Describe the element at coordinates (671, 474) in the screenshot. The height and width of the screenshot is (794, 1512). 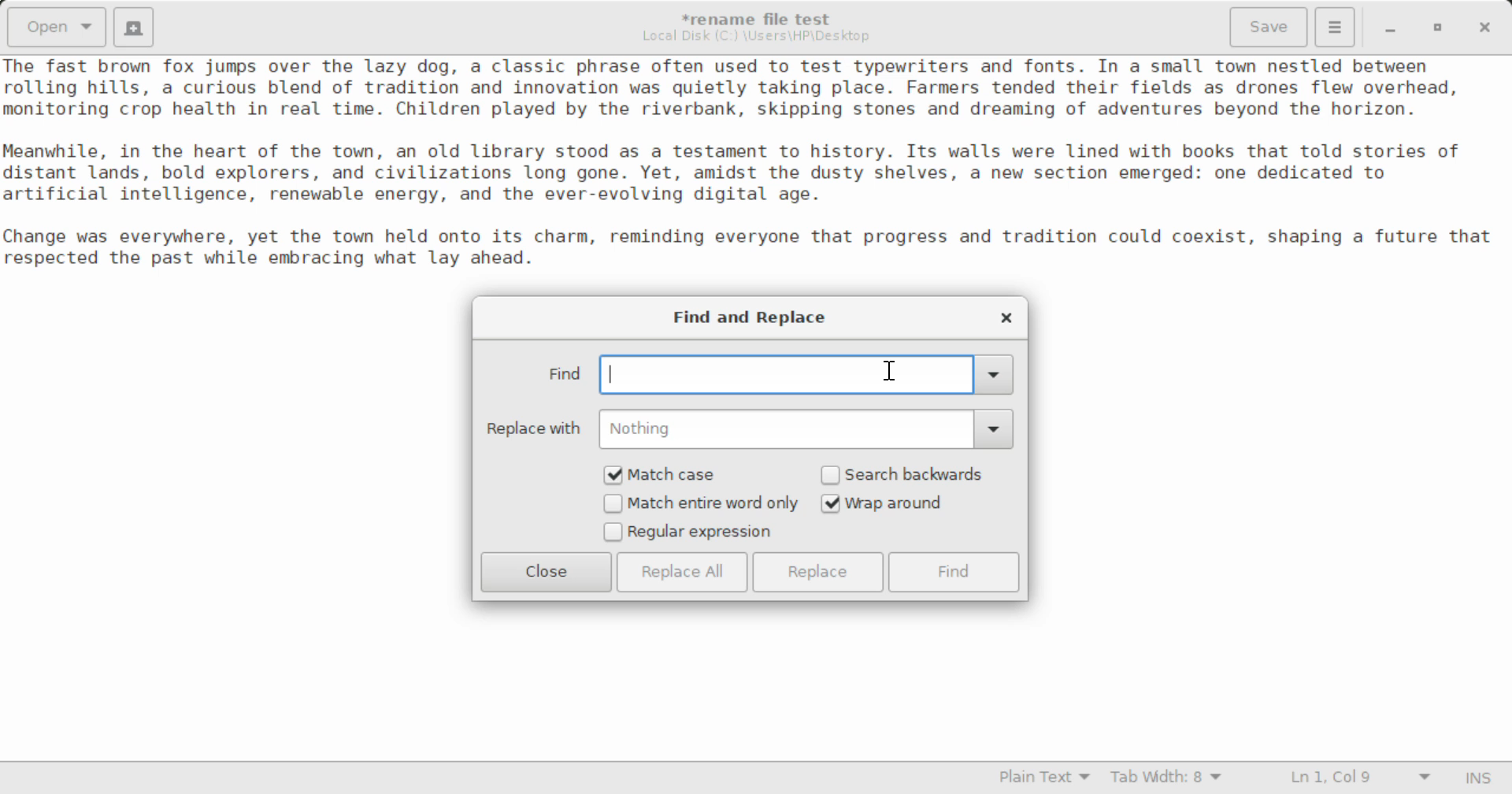
I see `Match Case` at that location.